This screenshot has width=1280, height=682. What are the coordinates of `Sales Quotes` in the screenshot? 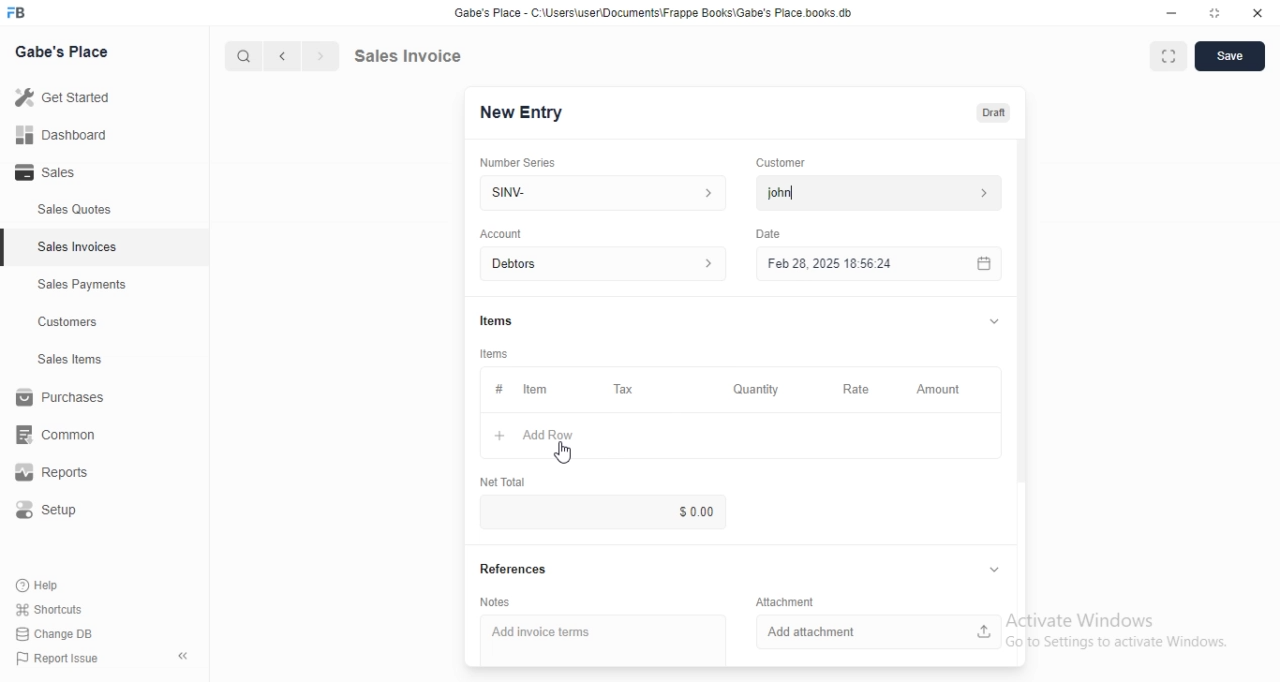 It's located at (64, 210).